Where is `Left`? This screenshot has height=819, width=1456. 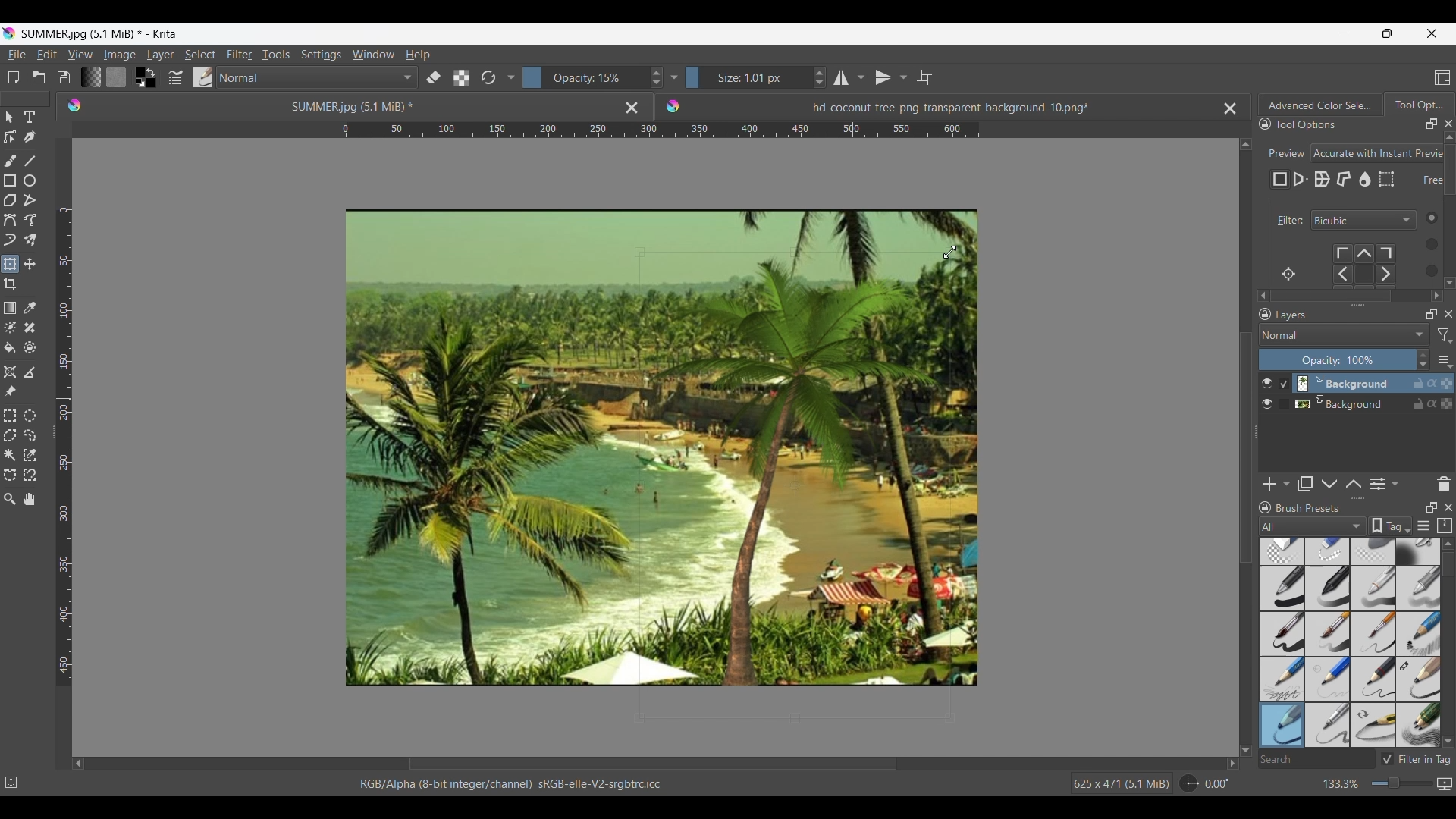 Left is located at coordinates (1259, 293).